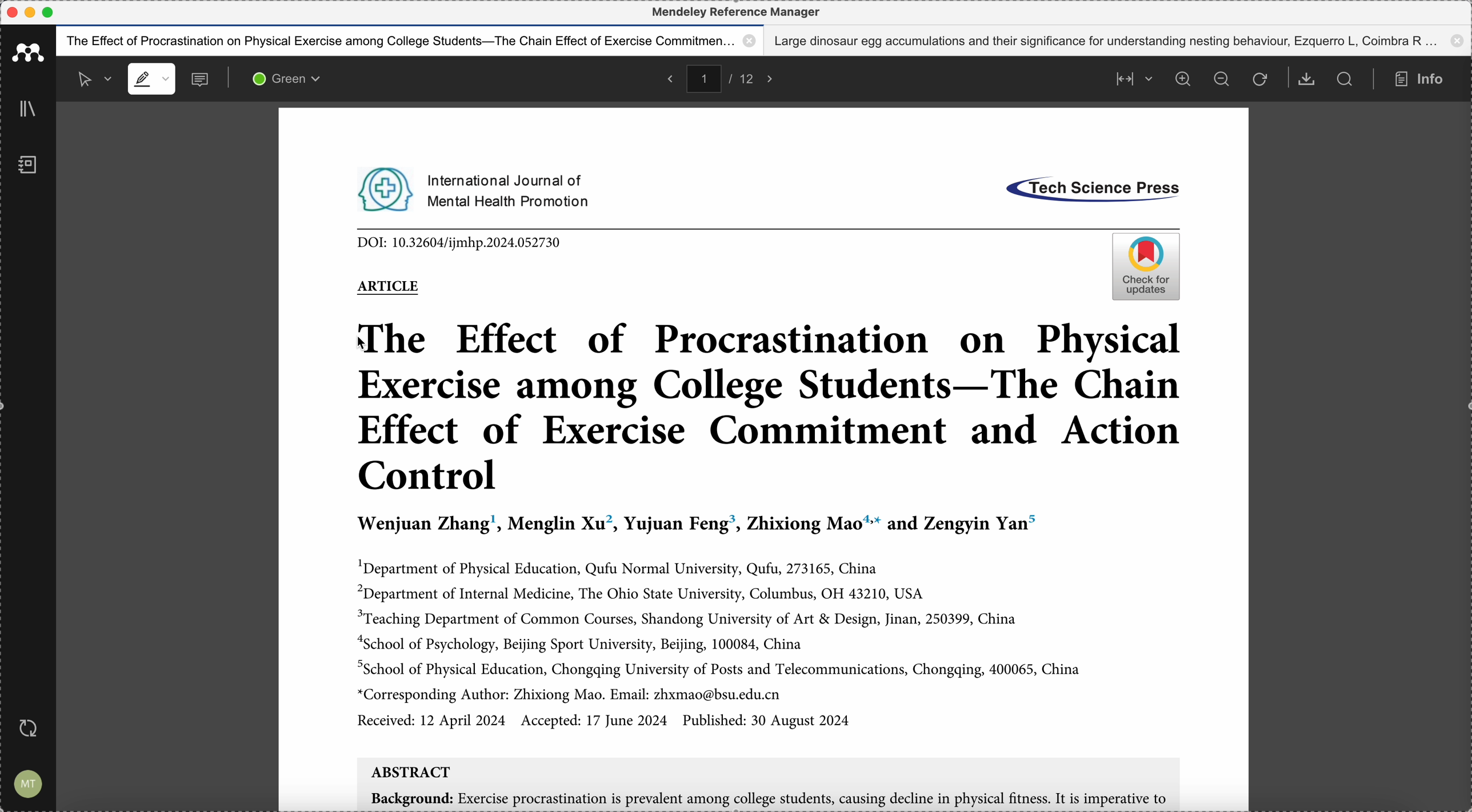 The image size is (1472, 812). Describe the element at coordinates (725, 77) in the screenshot. I see `pages` at that location.